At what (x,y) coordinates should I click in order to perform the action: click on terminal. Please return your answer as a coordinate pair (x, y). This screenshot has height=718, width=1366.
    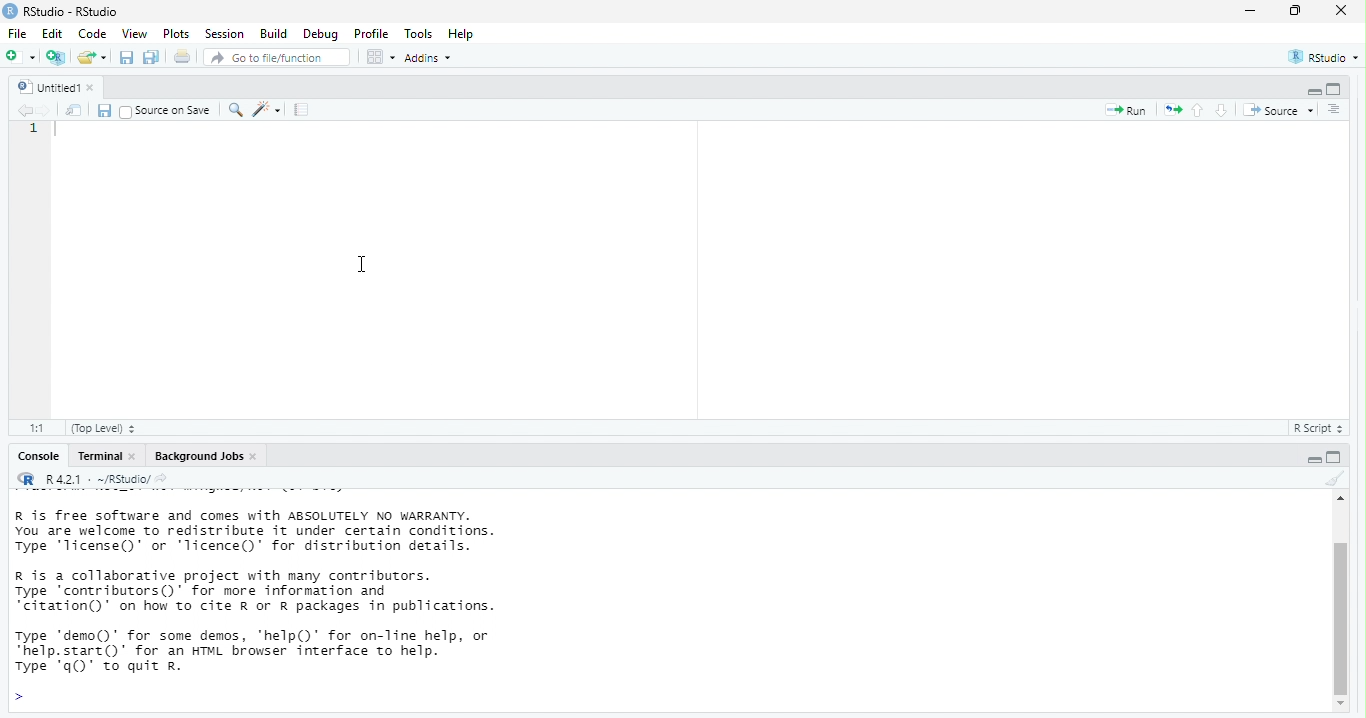
    Looking at the image, I should click on (98, 456).